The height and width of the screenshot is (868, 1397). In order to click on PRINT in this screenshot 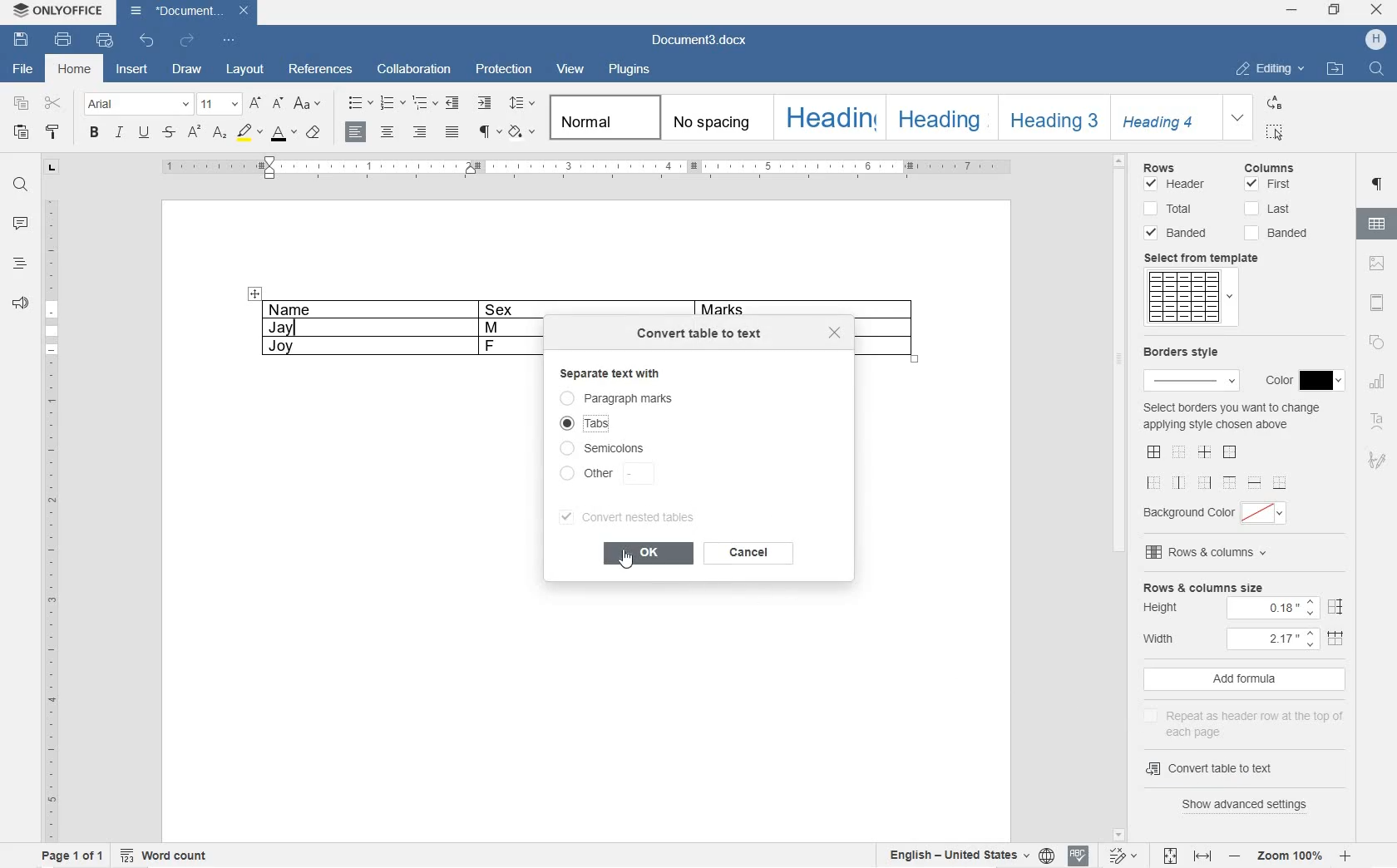, I will do `click(62, 39)`.